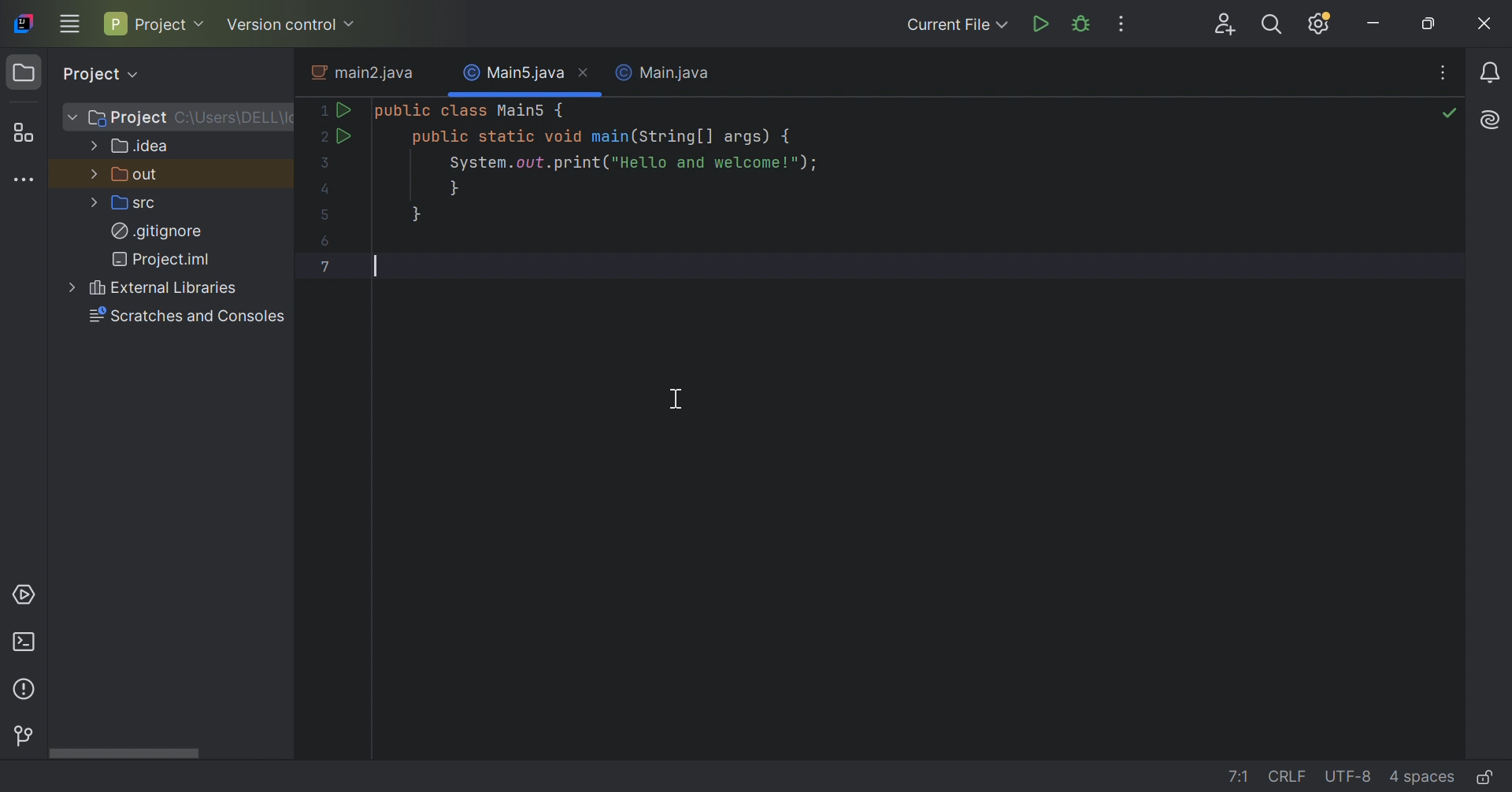  I want to click on 2, so click(320, 138).